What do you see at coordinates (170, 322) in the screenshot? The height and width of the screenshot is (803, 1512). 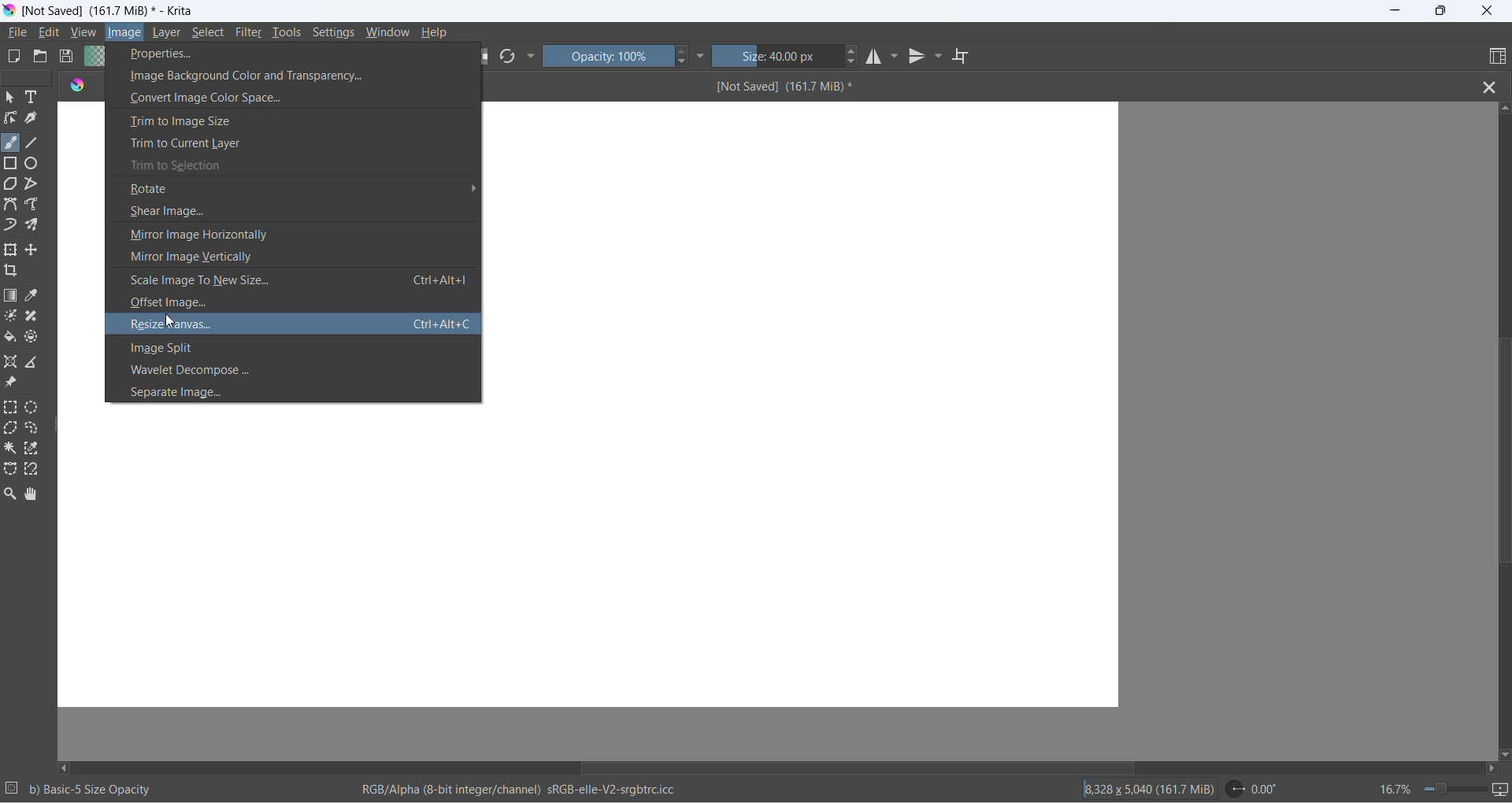 I see `Cursor` at bounding box center [170, 322].